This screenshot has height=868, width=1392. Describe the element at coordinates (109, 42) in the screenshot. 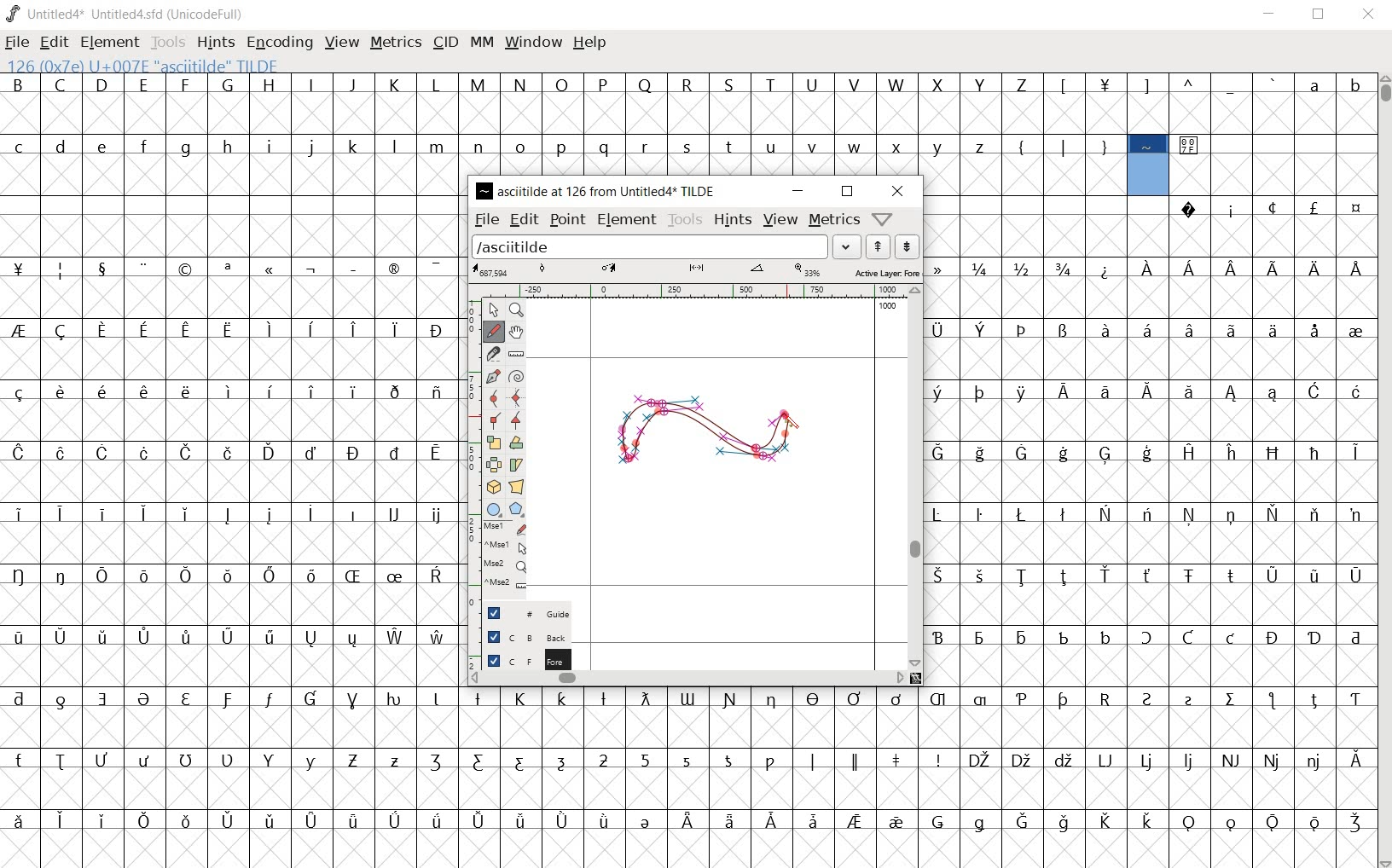

I see `ELEMENT` at that location.